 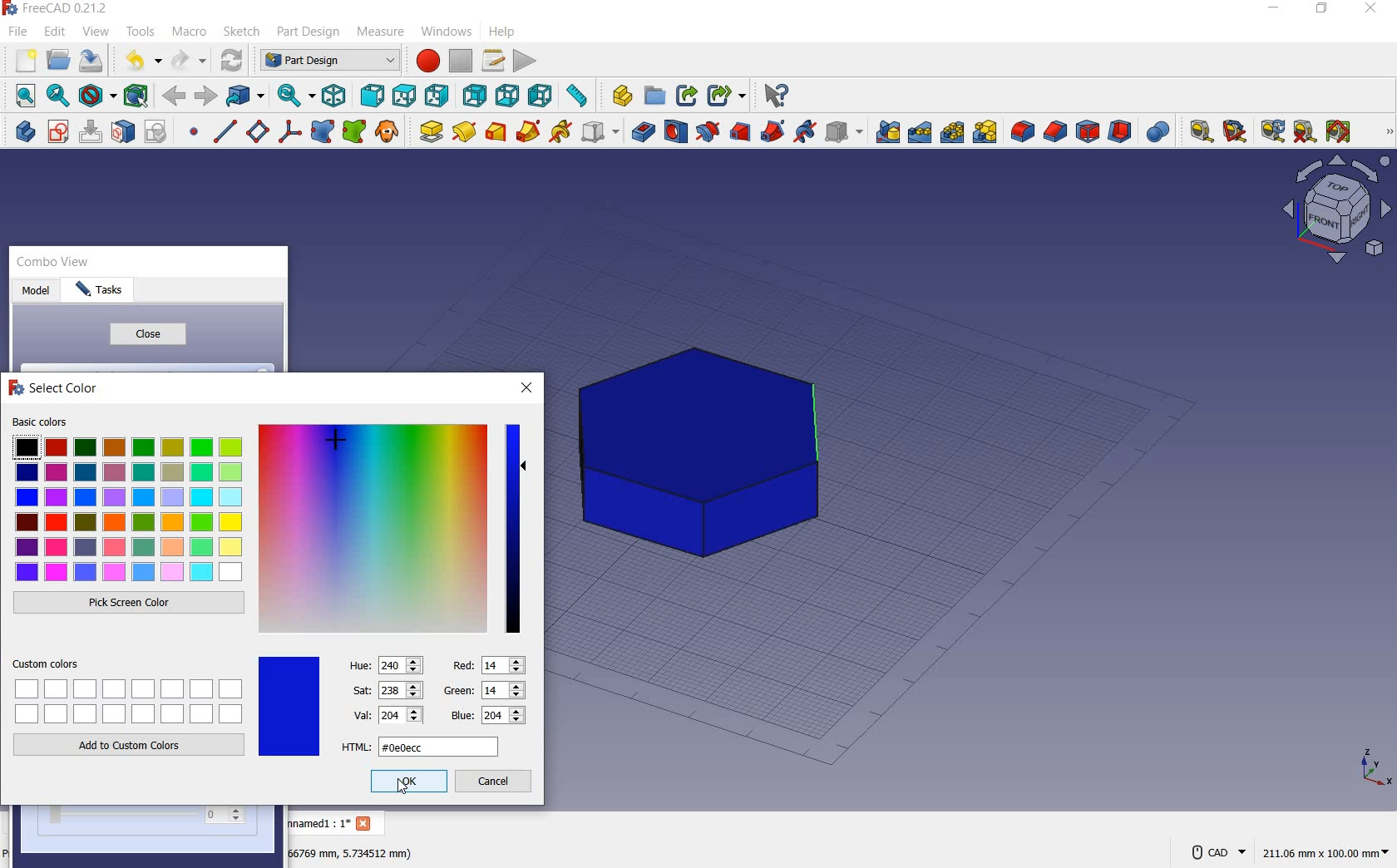 What do you see at coordinates (985, 132) in the screenshot?
I see `Create Multi Transform` at bounding box center [985, 132].